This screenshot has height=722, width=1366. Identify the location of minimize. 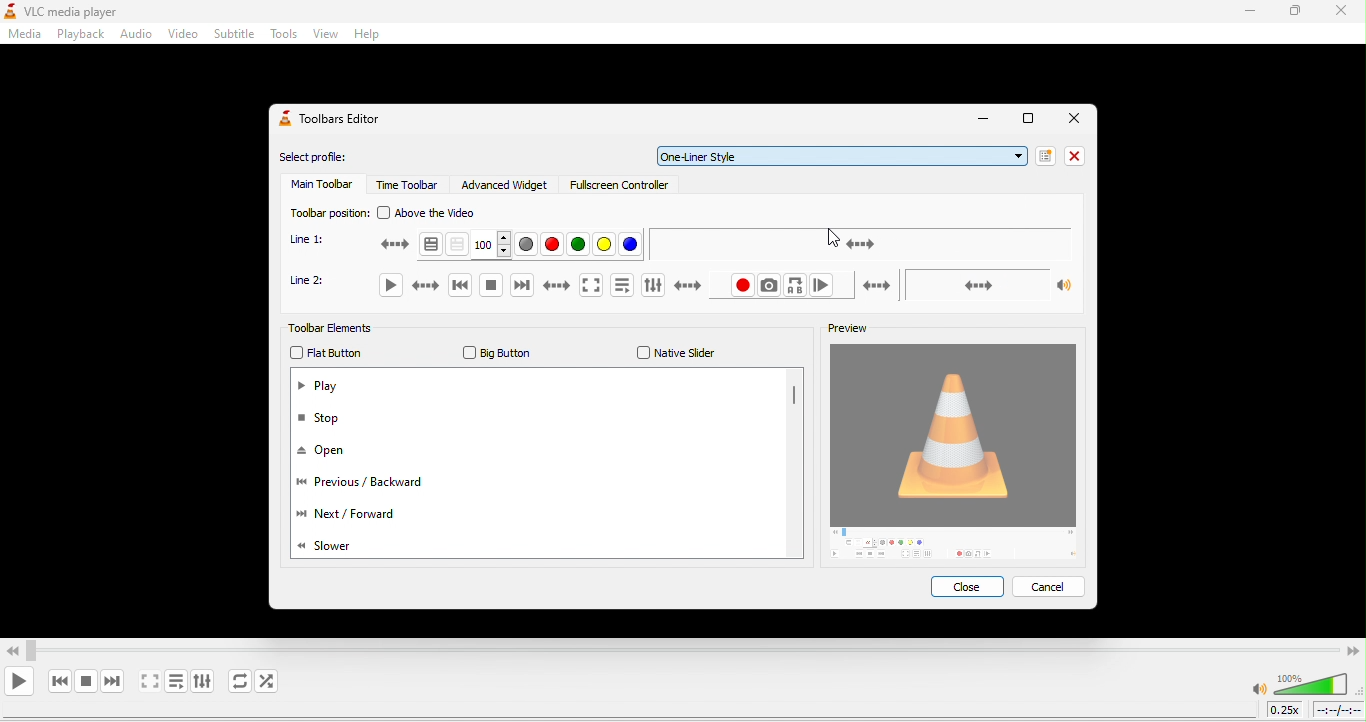
(1243, 13).